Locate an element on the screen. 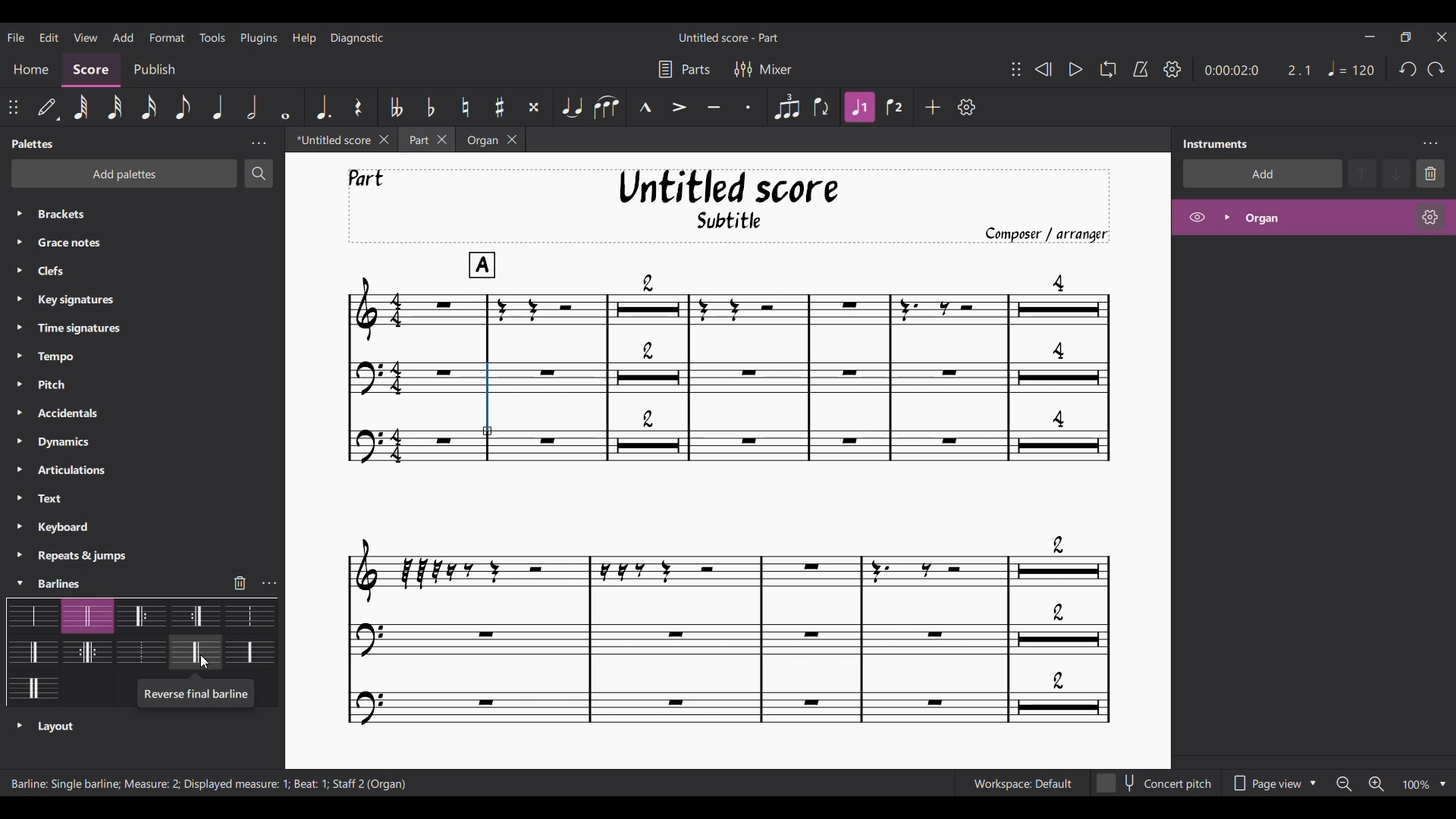 This screenshot has width=1456, height=819. Customize toolbar is located at coordinates (966, 106).